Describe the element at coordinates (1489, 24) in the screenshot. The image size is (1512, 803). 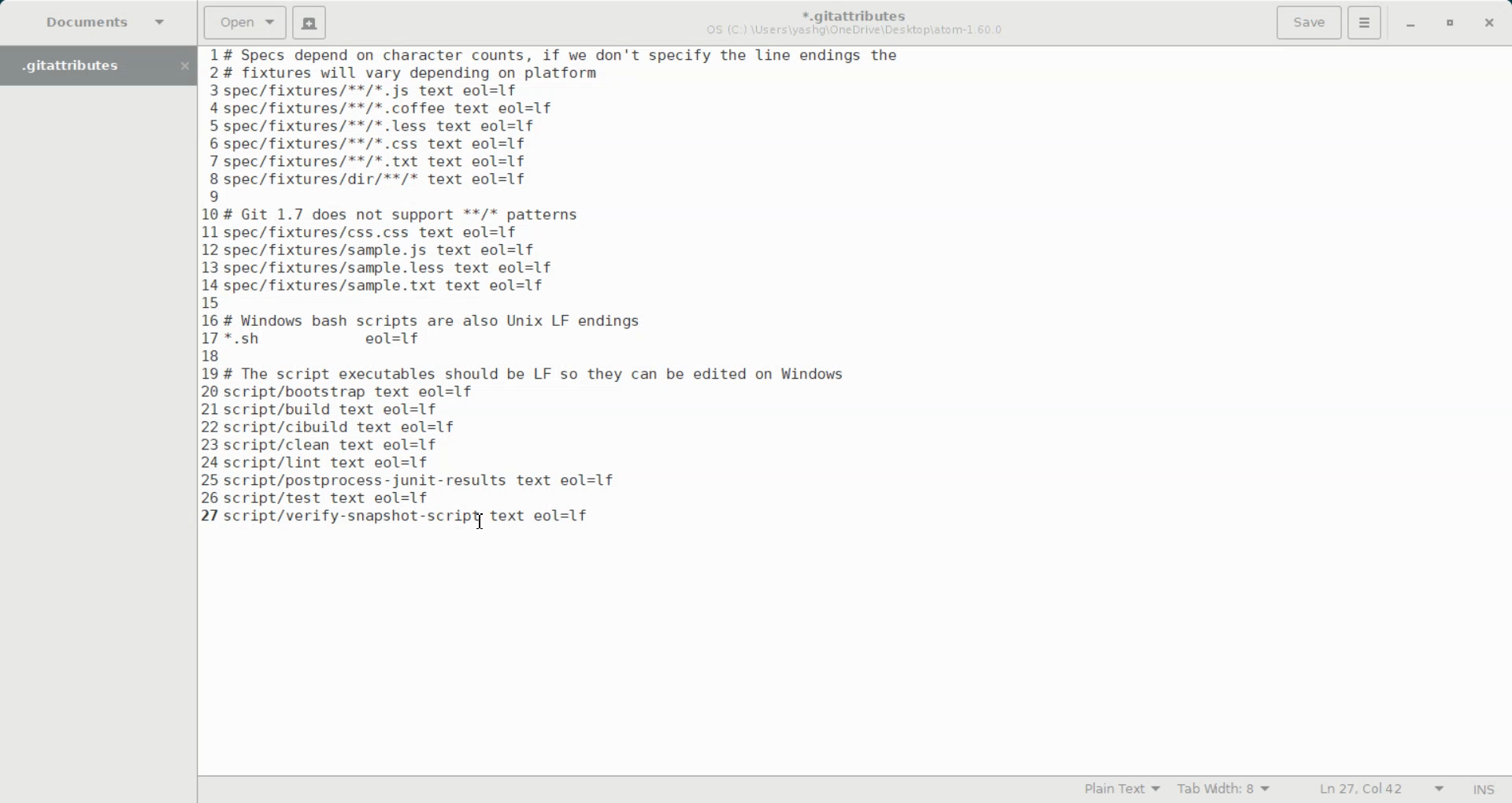
I see `Close` at that location.